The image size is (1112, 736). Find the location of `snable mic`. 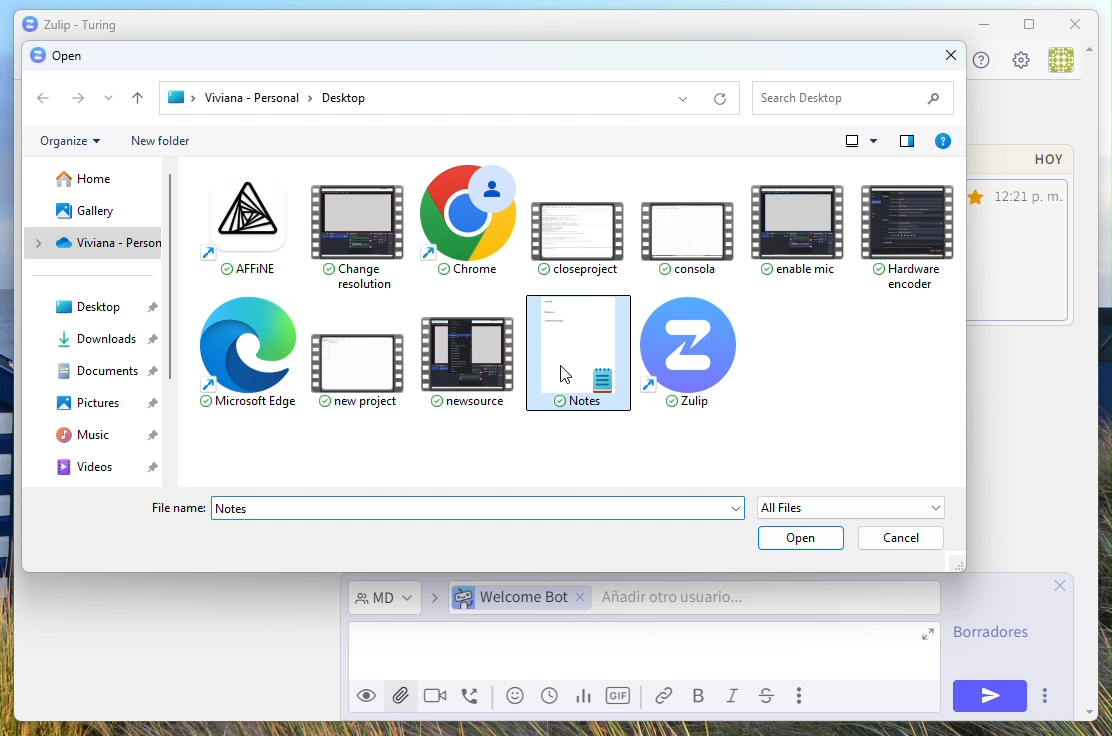

snable mic is located at coordinates (796, 223).